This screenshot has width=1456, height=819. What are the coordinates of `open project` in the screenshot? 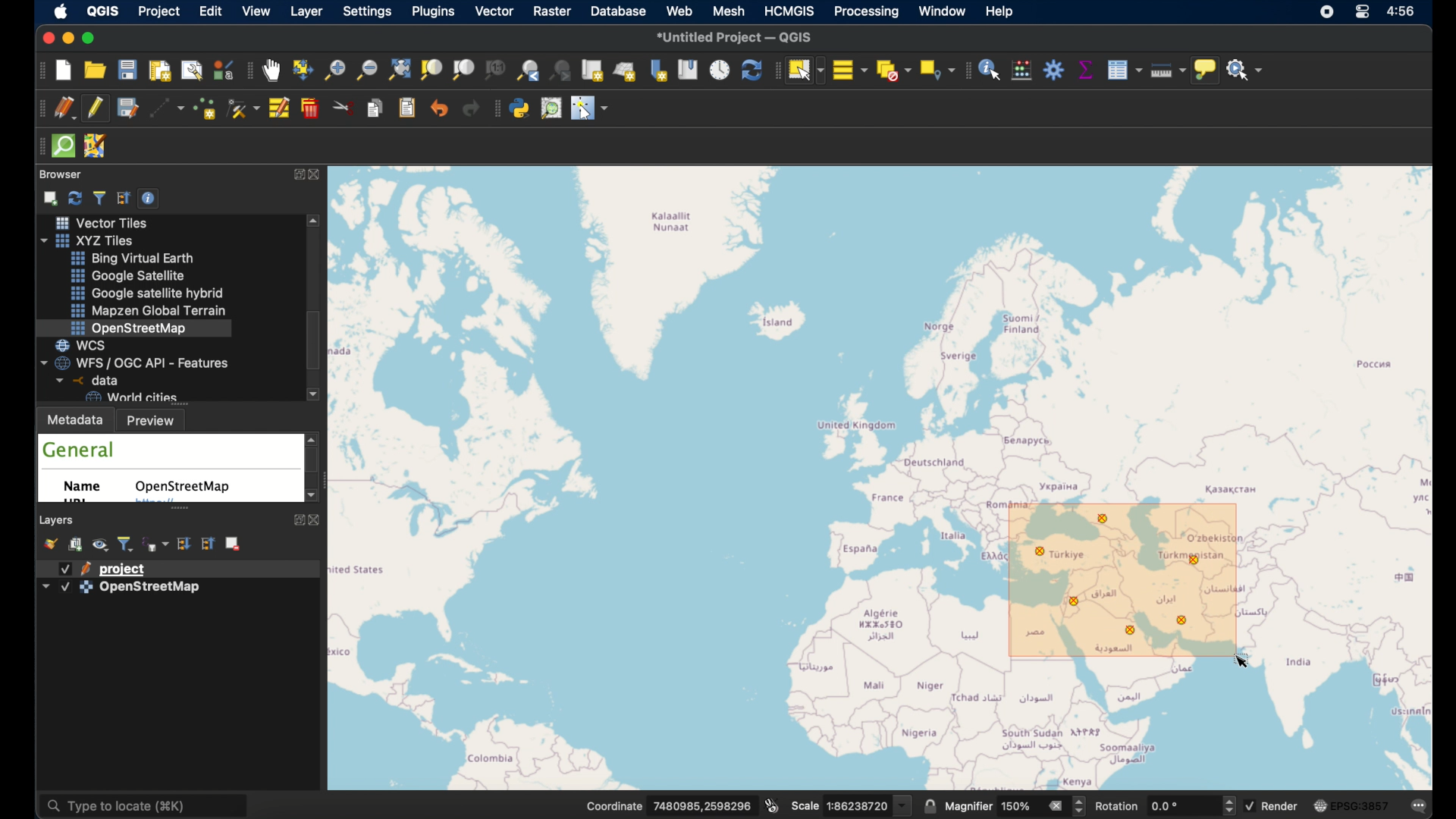 It's located at (94, 70).